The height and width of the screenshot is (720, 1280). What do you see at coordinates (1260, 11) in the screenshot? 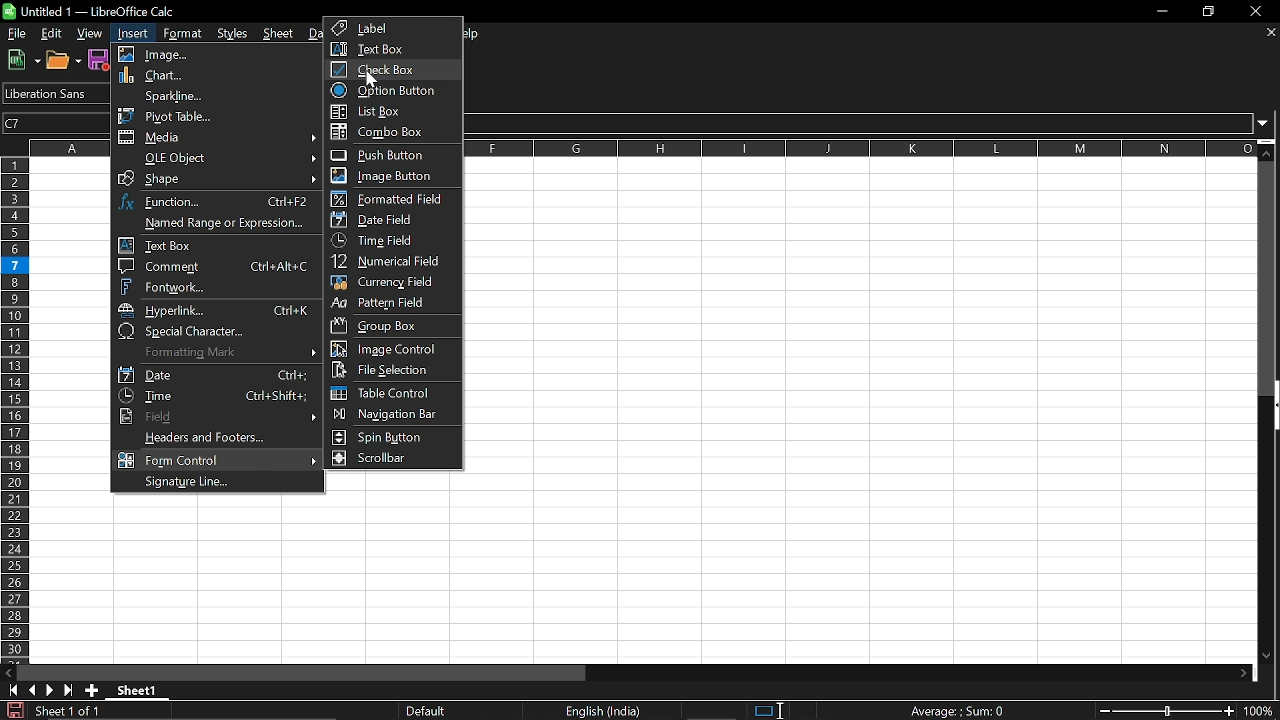
I see `Close ` at bounding box center [1260, 11].